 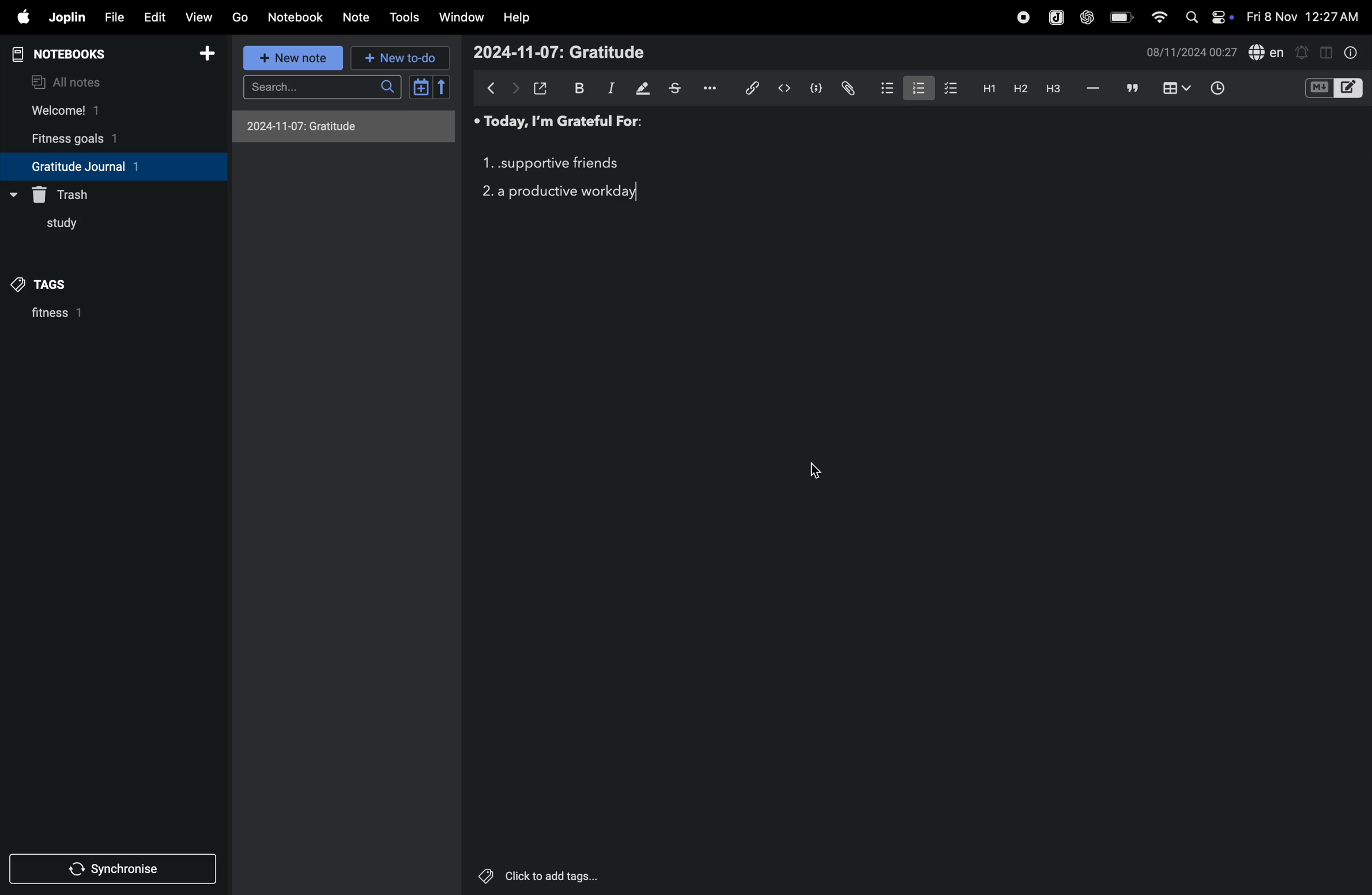 I want to click on calendar, so click(x=429, y=87).